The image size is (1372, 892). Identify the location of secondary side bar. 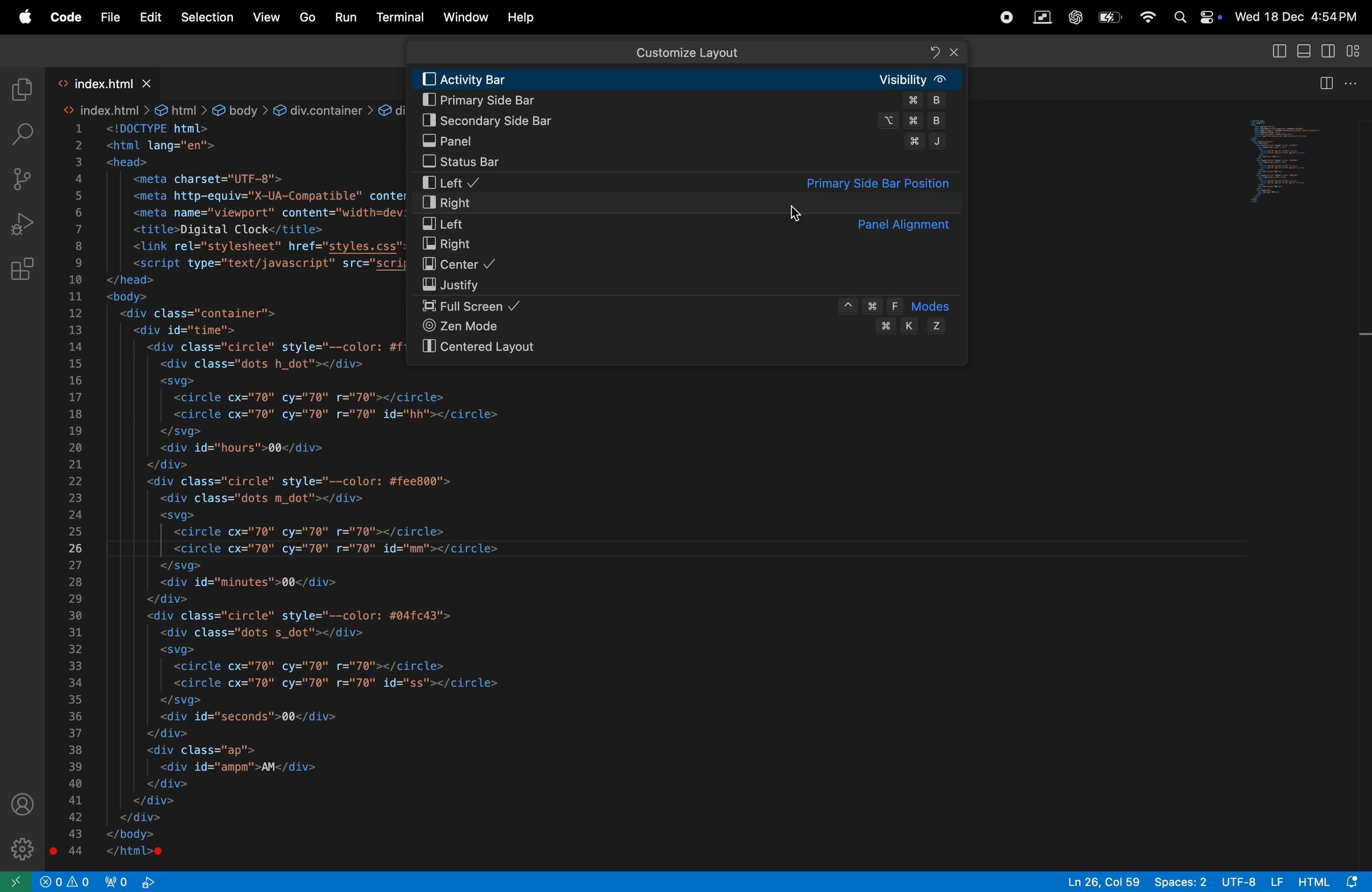
(685, 120).